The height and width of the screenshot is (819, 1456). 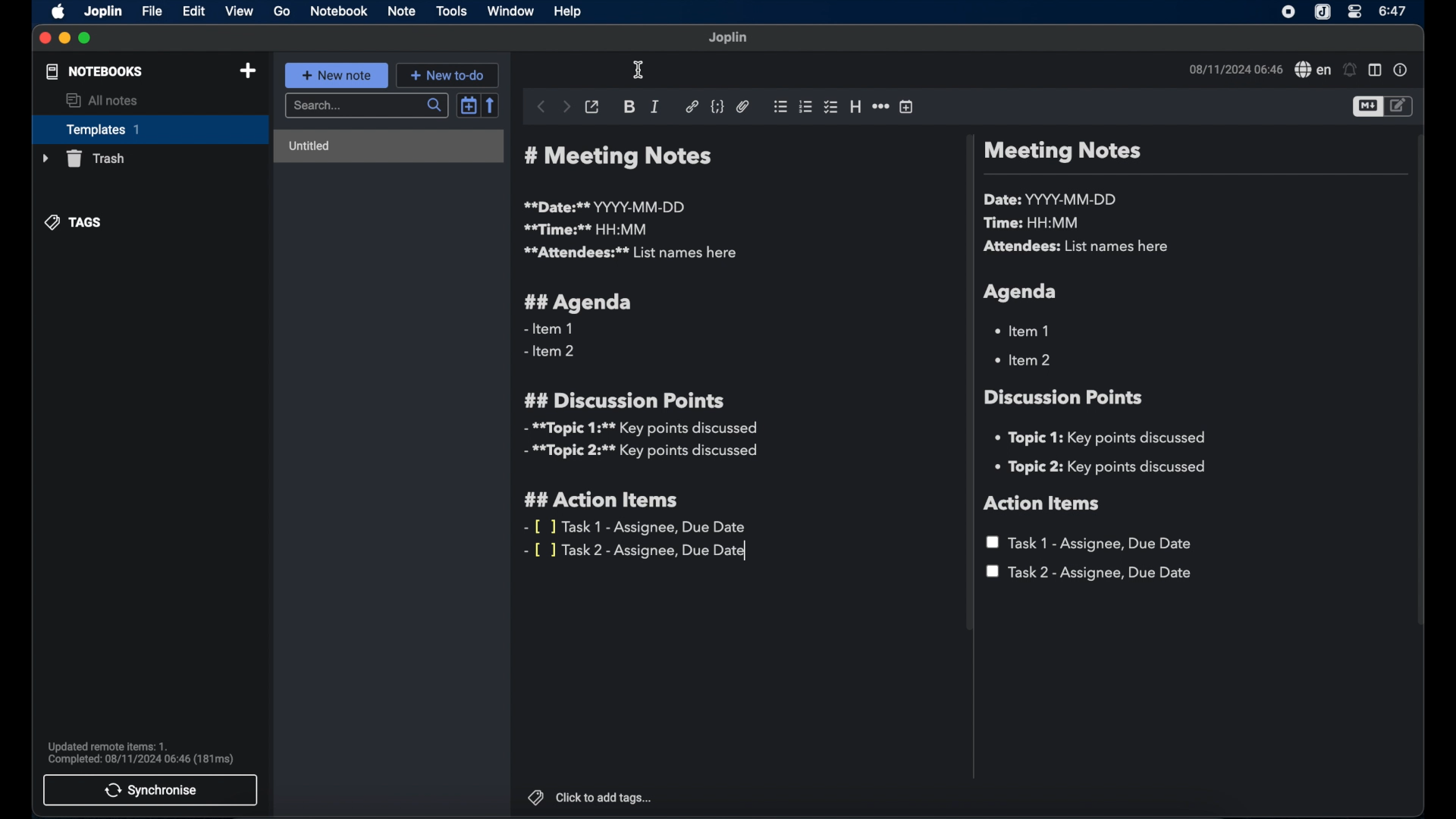 I want to click on discussion points, so click(x=1065, y=397).